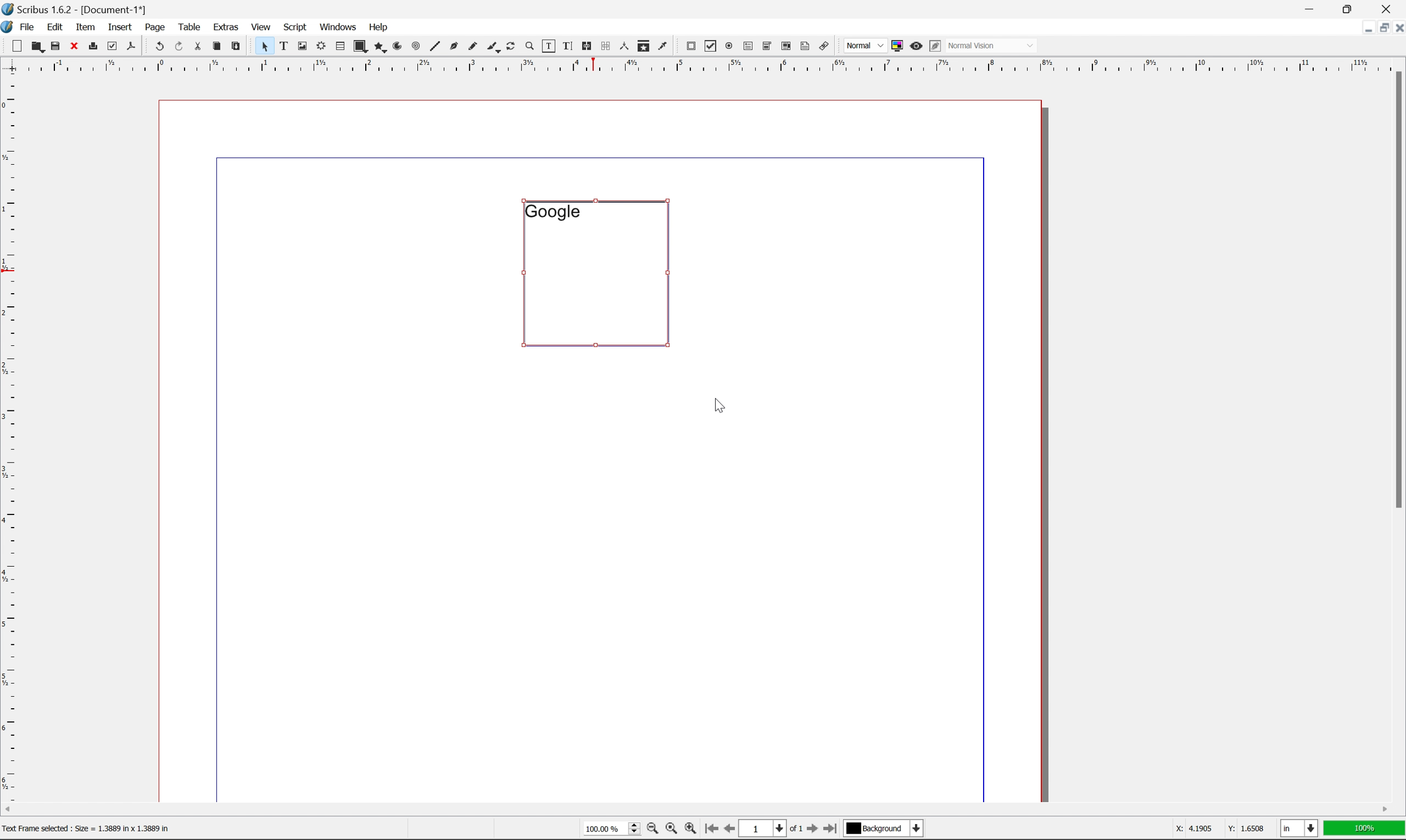  Describe the element at coordinates (770, 830) in the screenshot. I see `select current page` at that location.